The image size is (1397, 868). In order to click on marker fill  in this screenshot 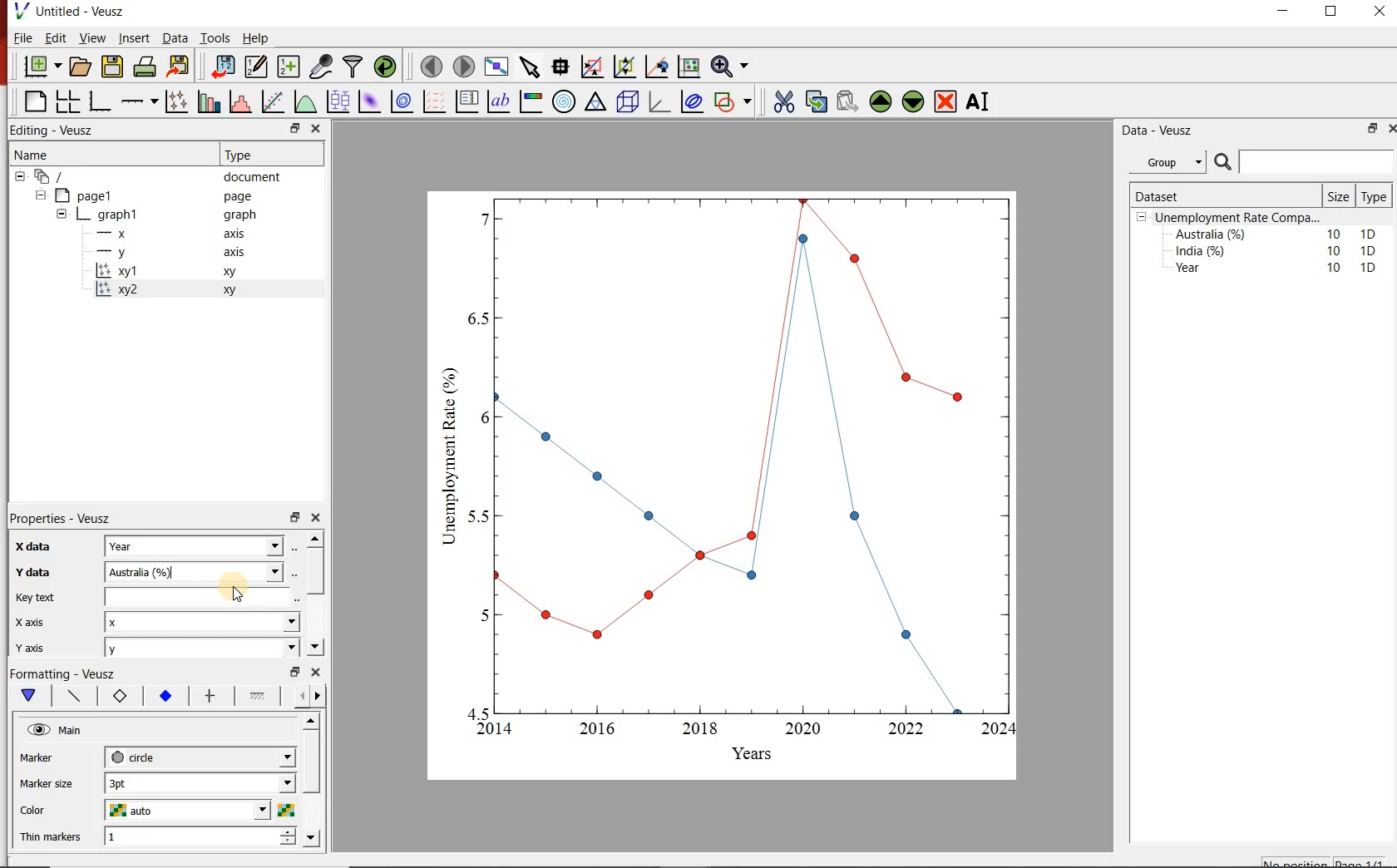, I will do `click(166, 697)`.